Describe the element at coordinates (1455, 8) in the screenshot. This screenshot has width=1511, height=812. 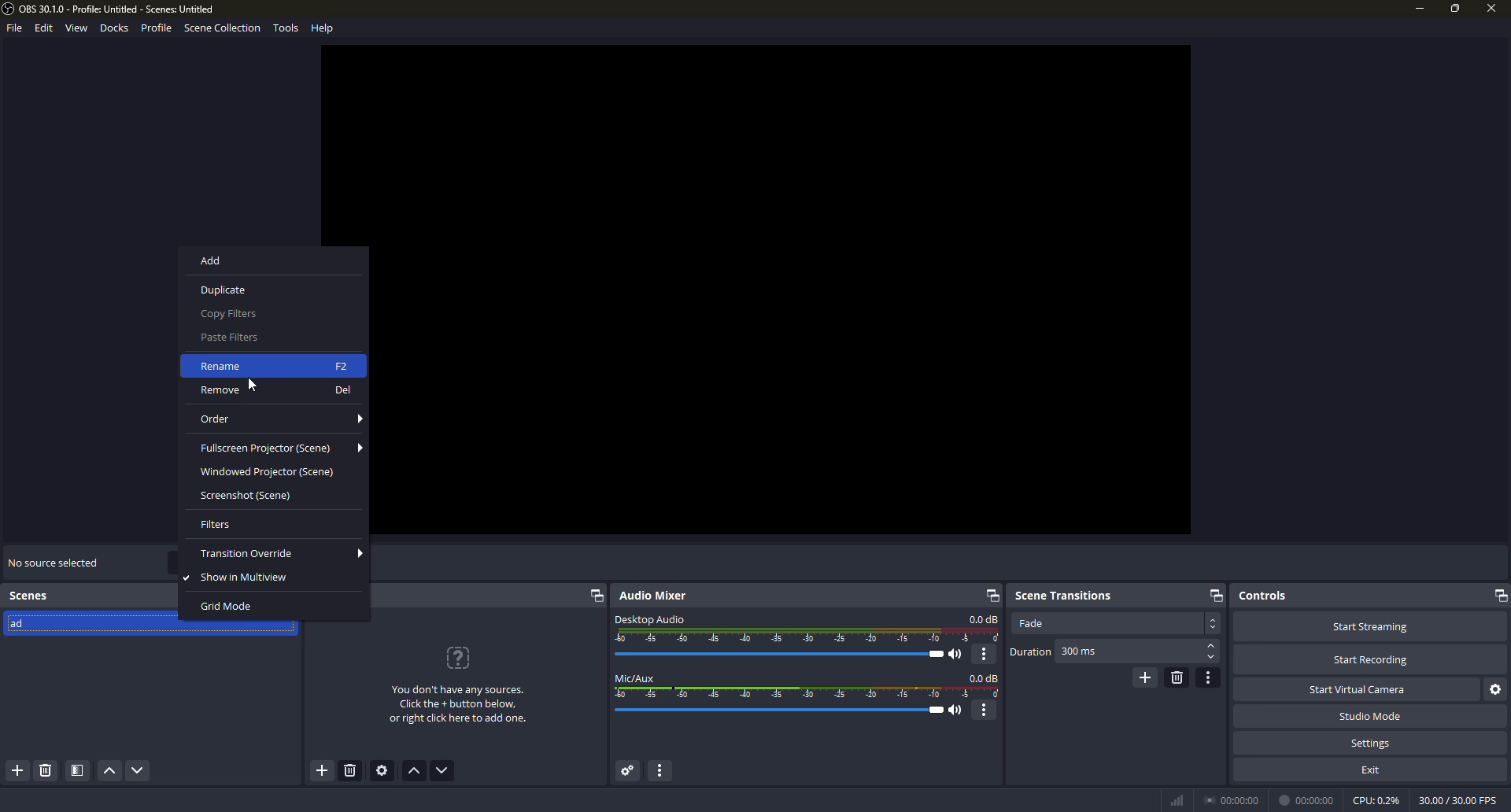
I see `maximize` at that location.